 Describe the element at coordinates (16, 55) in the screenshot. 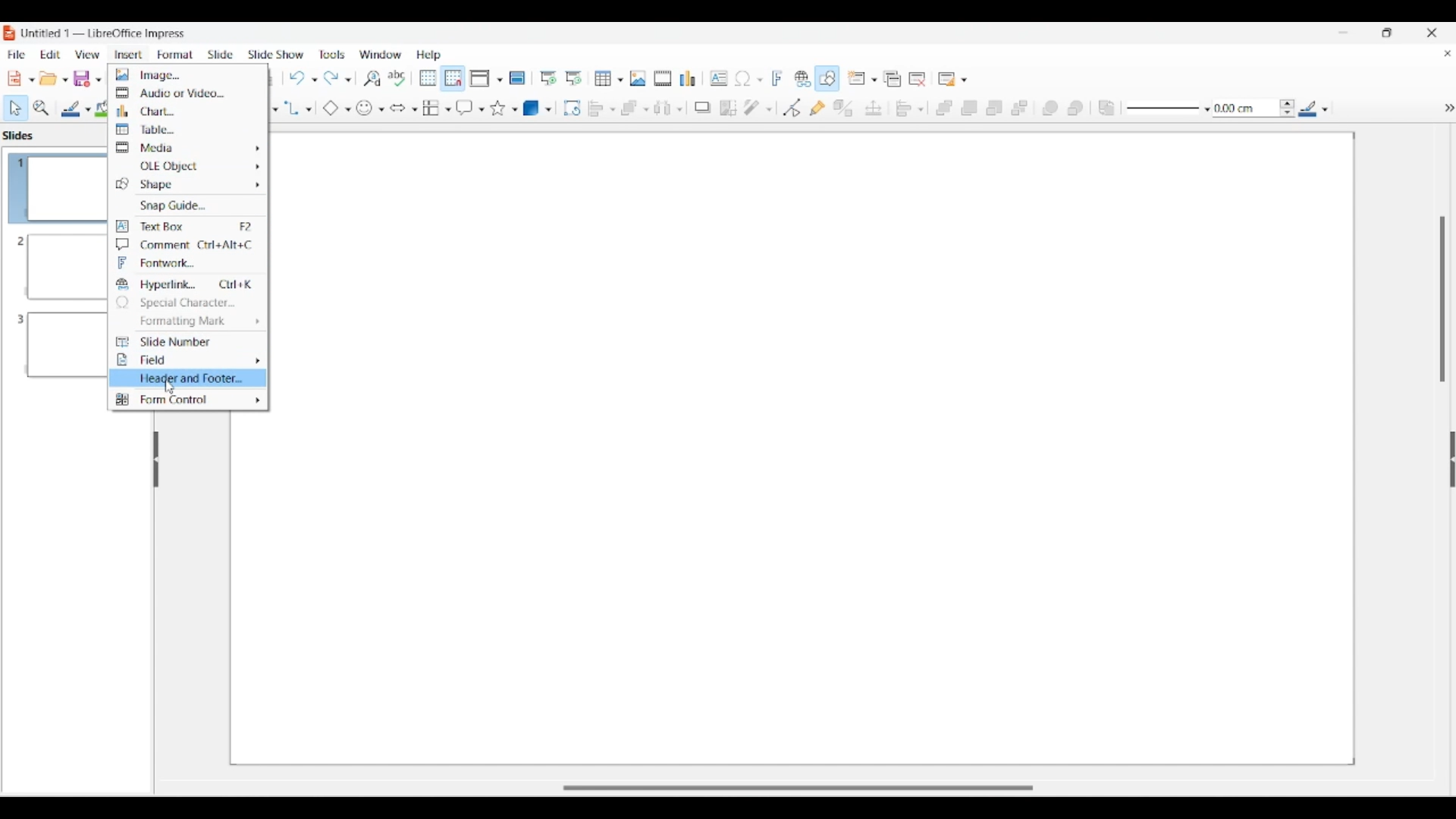

I see `File menu` at that location.